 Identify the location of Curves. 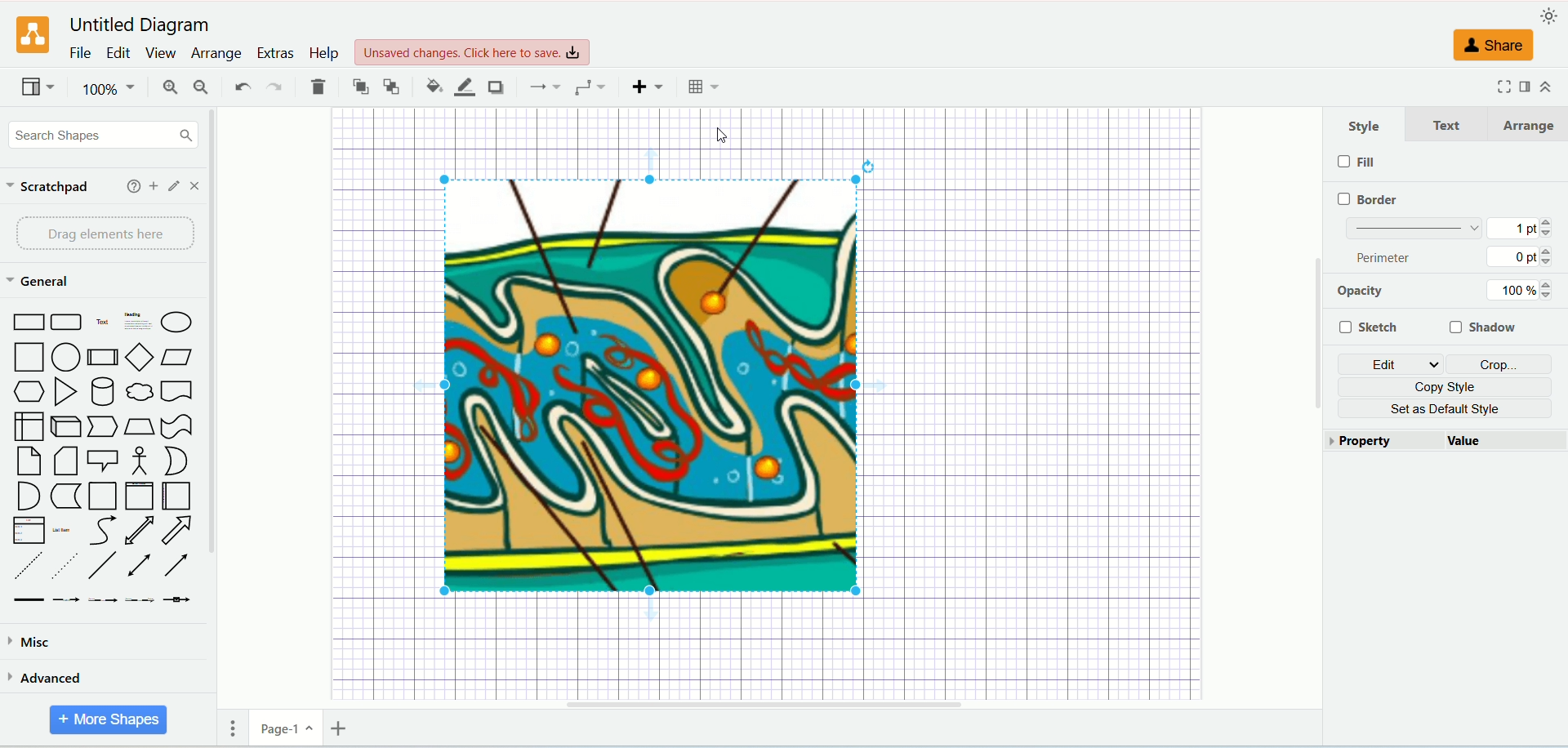
(106, 532).